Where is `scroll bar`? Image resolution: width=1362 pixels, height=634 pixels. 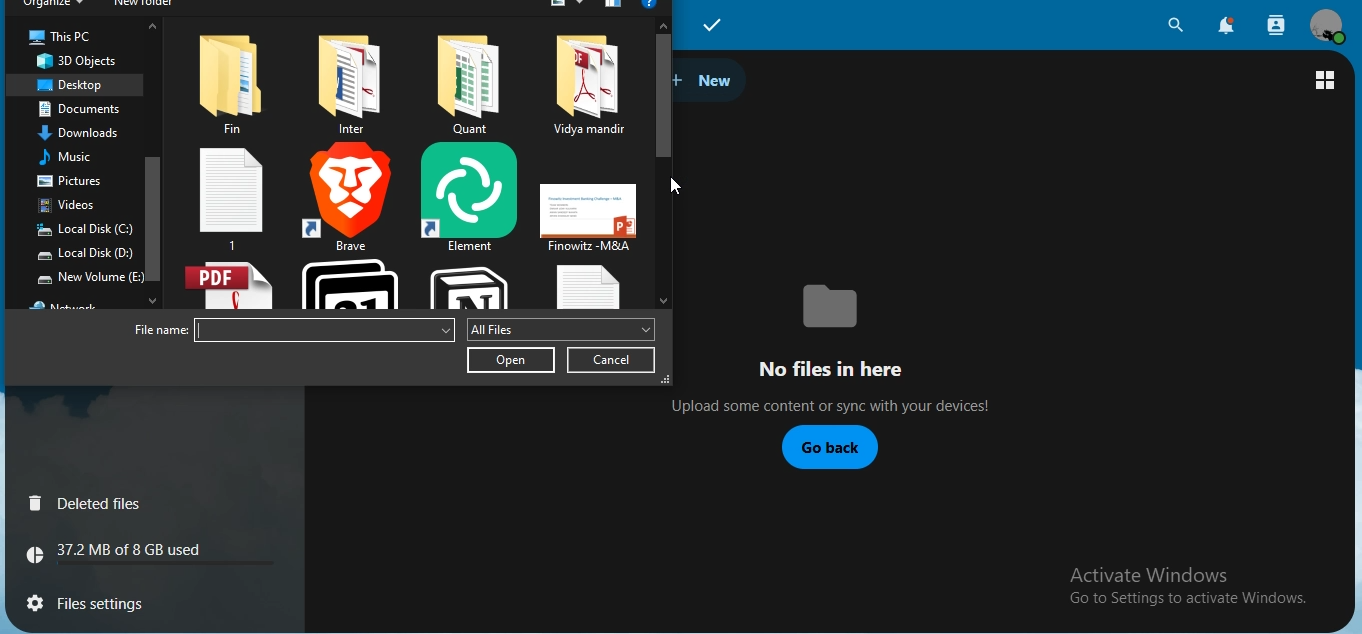
scroll bar is located at coordinates (152, 211).